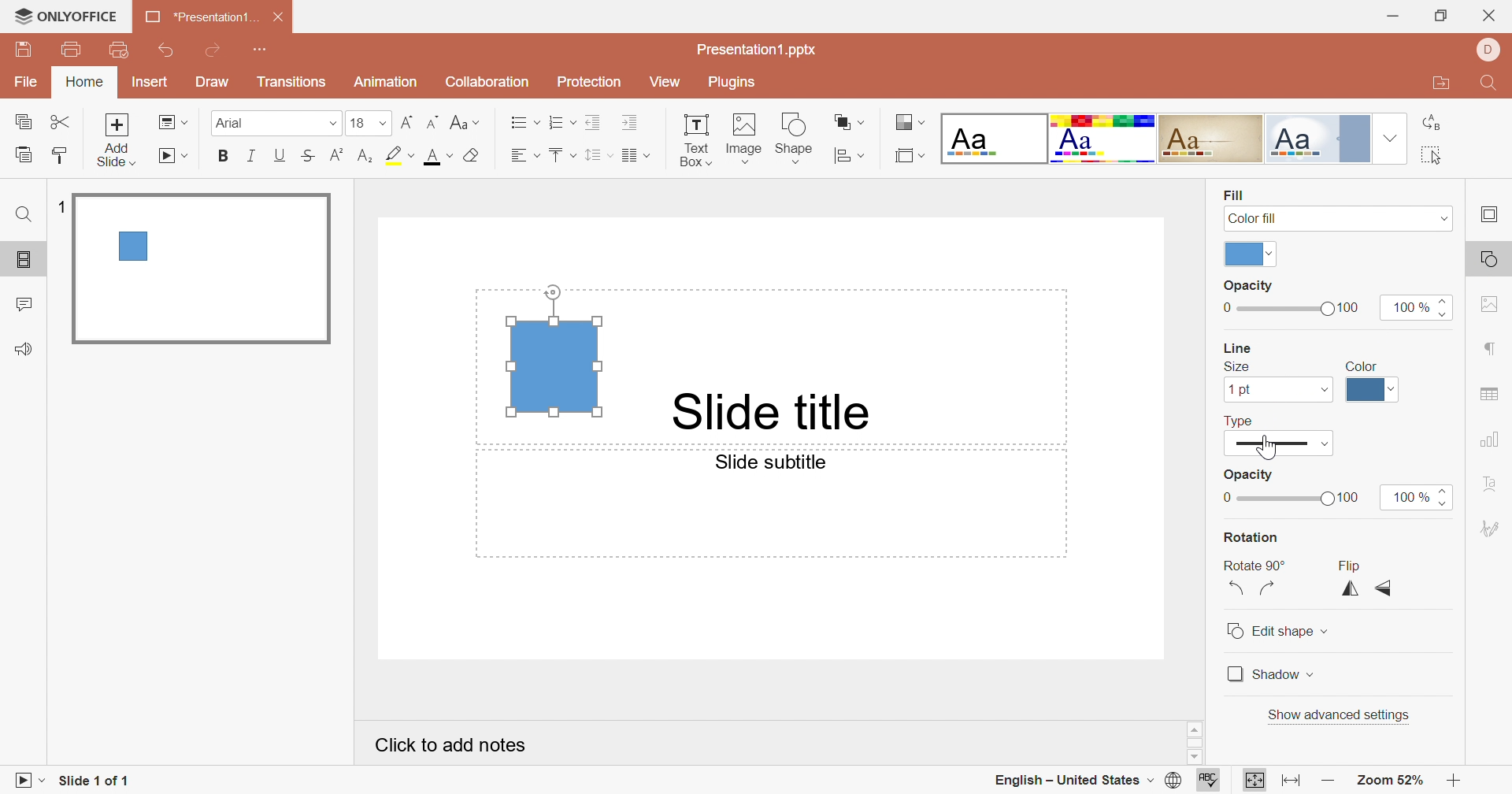 The image size is (1512, 794). Describe the element at coordinates (60, 204) in the screenshot. I see `1` at that location.